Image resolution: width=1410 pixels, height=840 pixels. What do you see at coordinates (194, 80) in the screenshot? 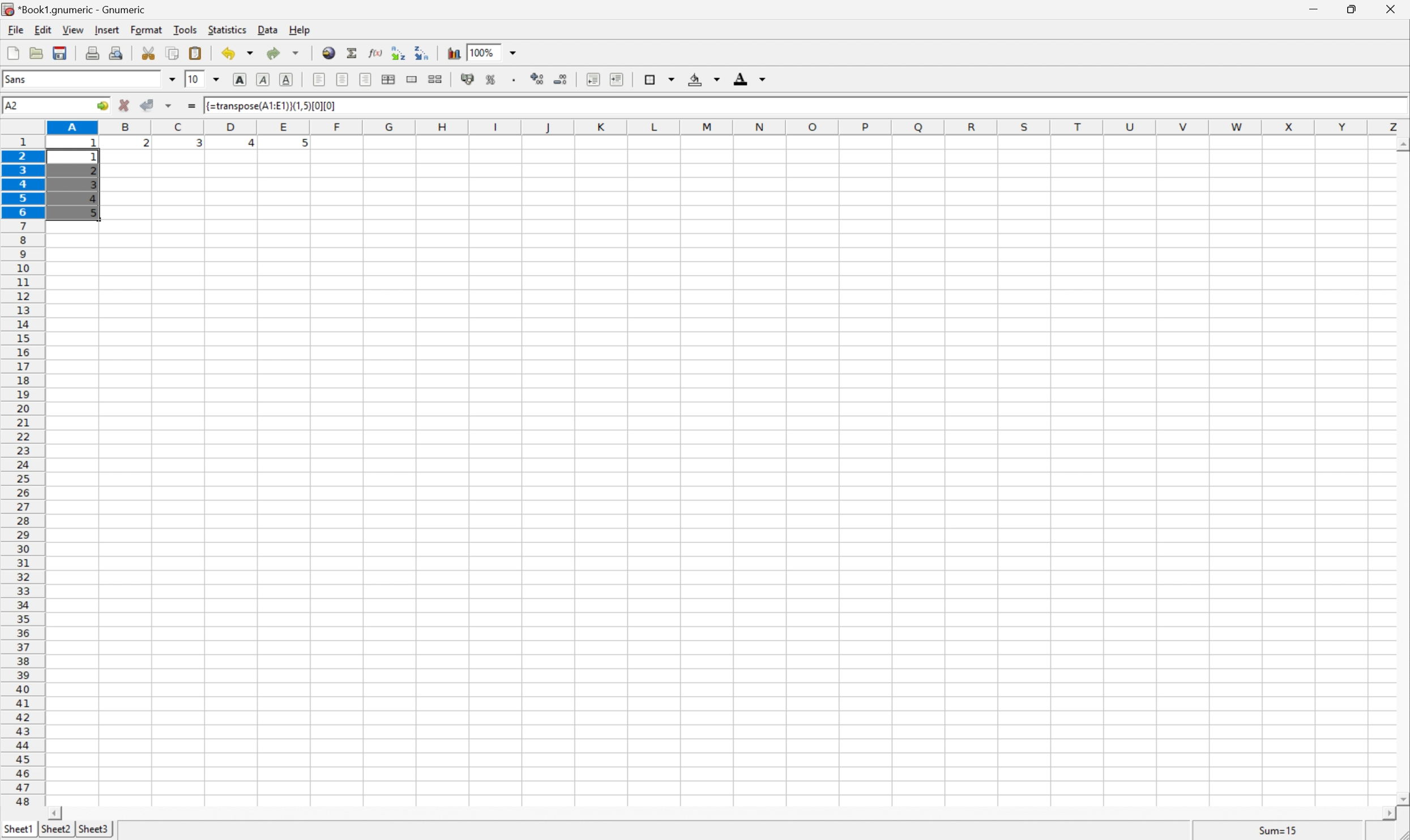
I see `10` at bounding box center [194, 80].